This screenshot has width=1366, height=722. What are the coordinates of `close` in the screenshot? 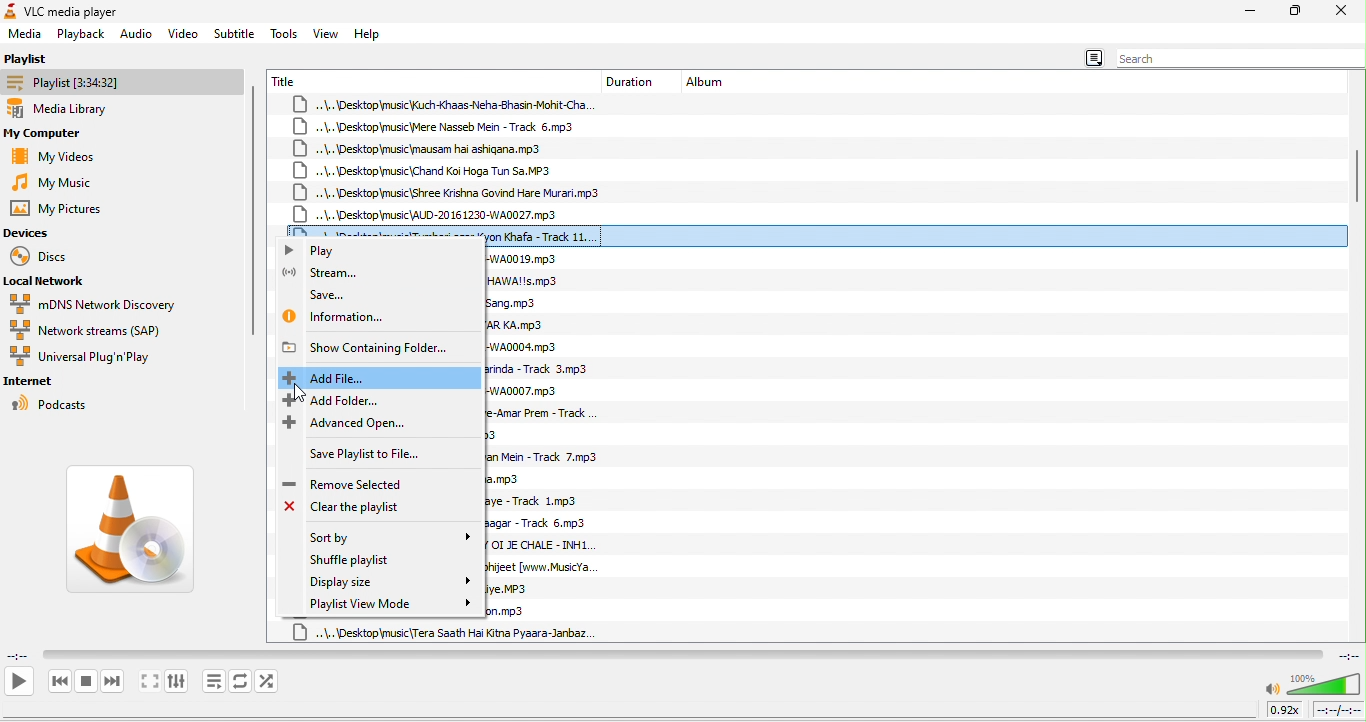 It's located at (1342, 11).